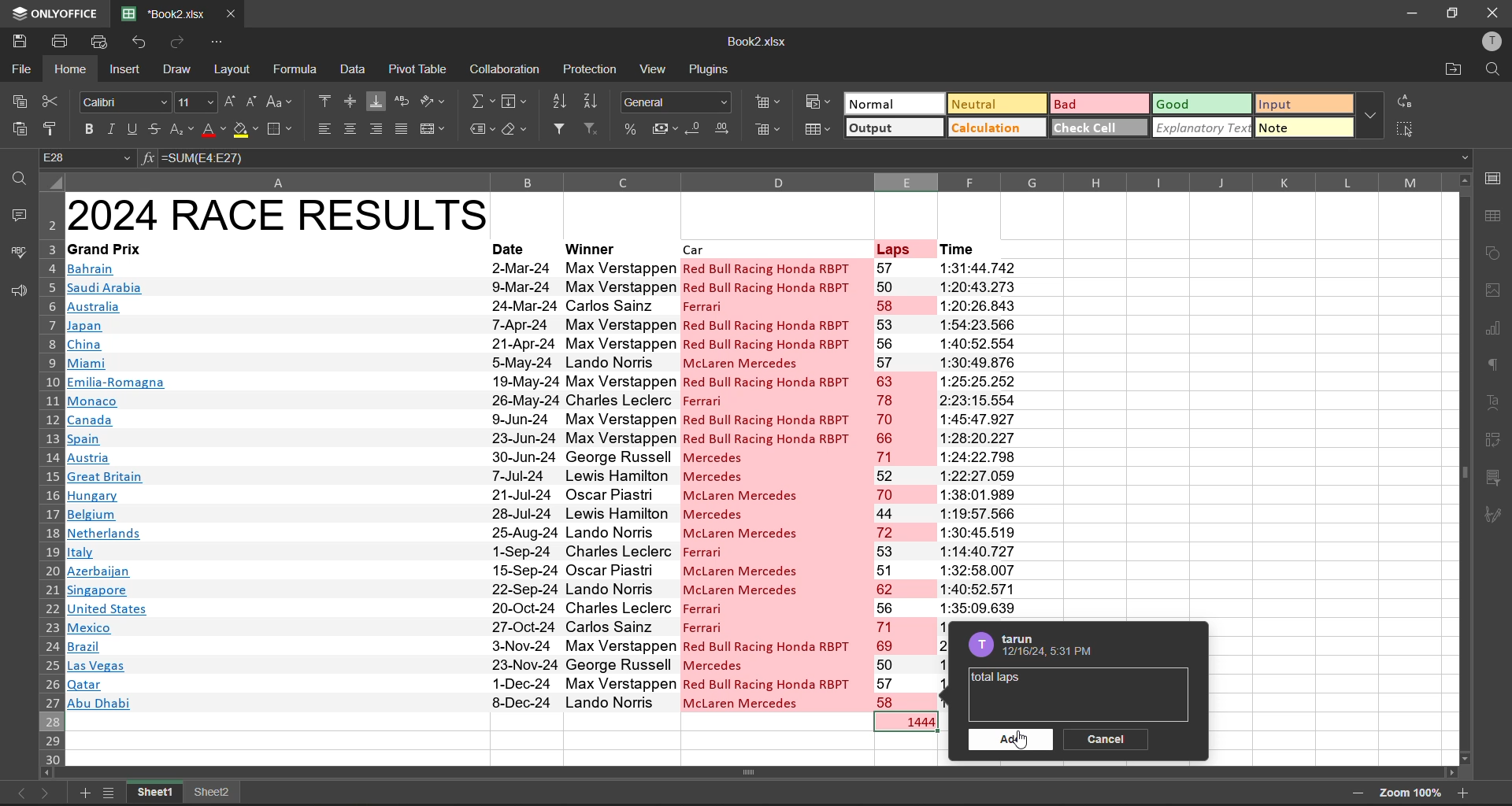 Image resolution: width=1512 pixels, height=806 pixels. I want to click on bad, so click(1098, 104).